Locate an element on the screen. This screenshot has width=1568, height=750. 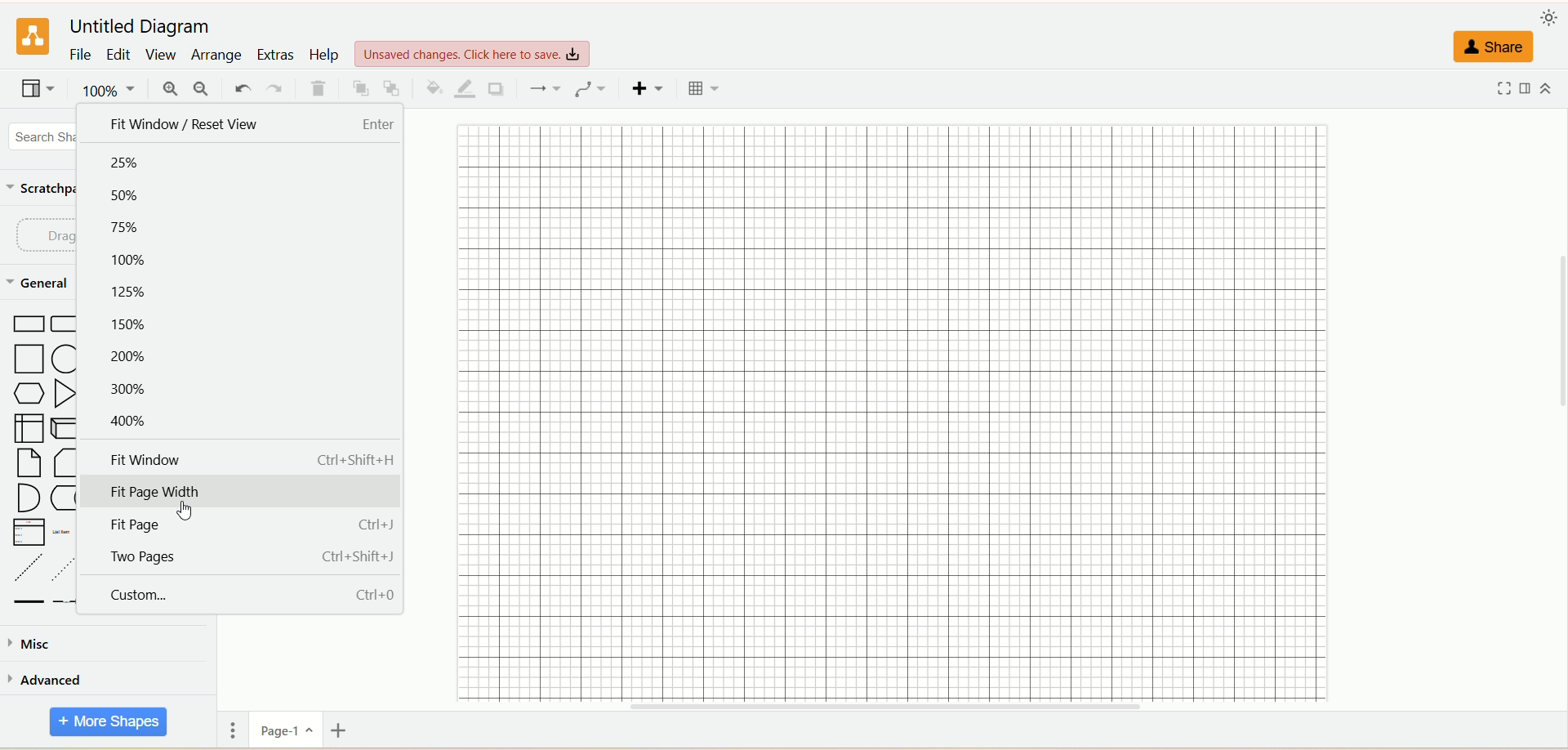
view is located at coordinates (38, 90).